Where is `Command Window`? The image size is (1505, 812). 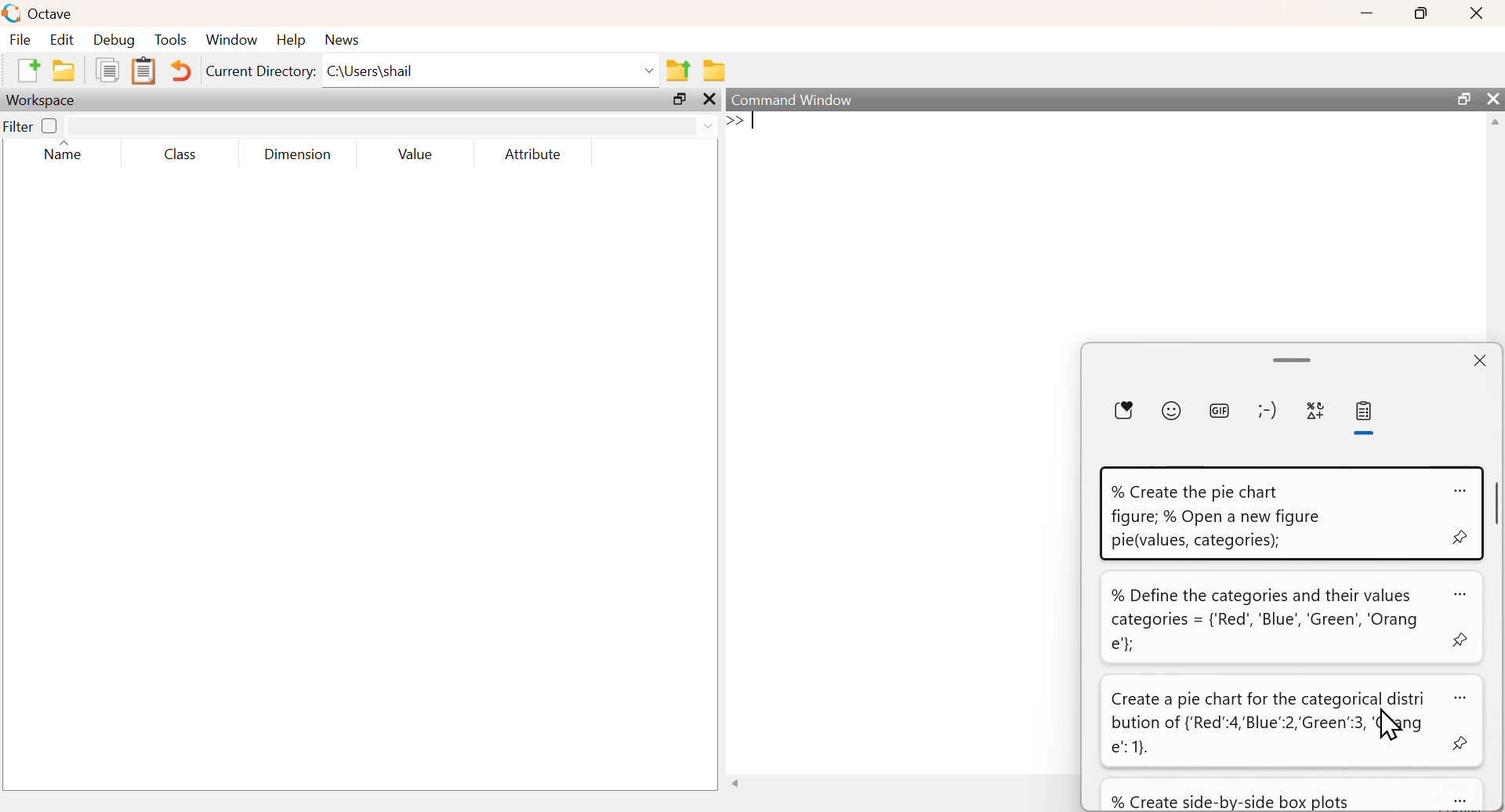 Command Window is located at coordinates (792, 100).